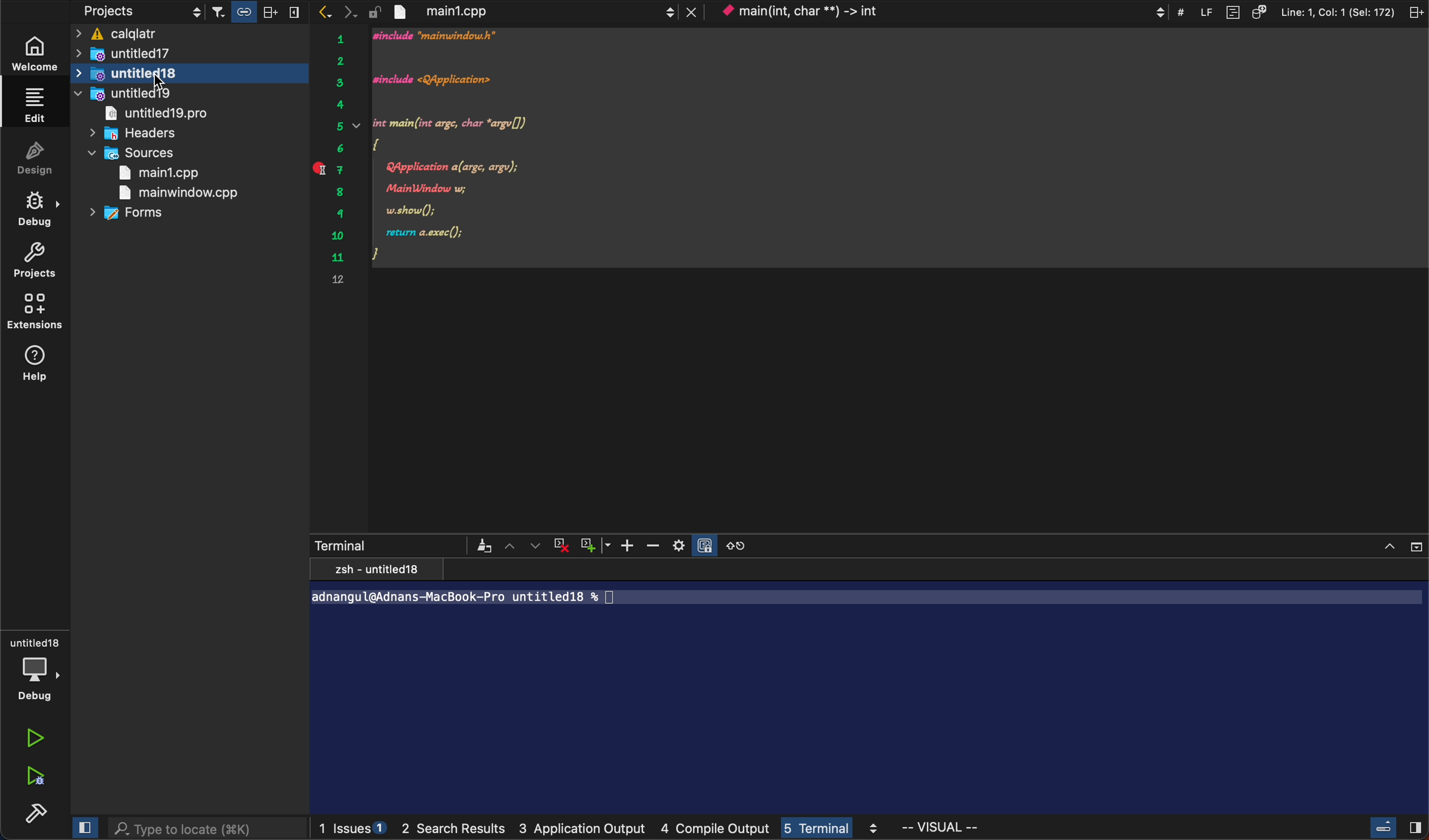 Image resolution: width=1429 pixels, height=840 pixels. Describe the element at coordinates (36, 663) in the screenshot. I see `debug` at that location.